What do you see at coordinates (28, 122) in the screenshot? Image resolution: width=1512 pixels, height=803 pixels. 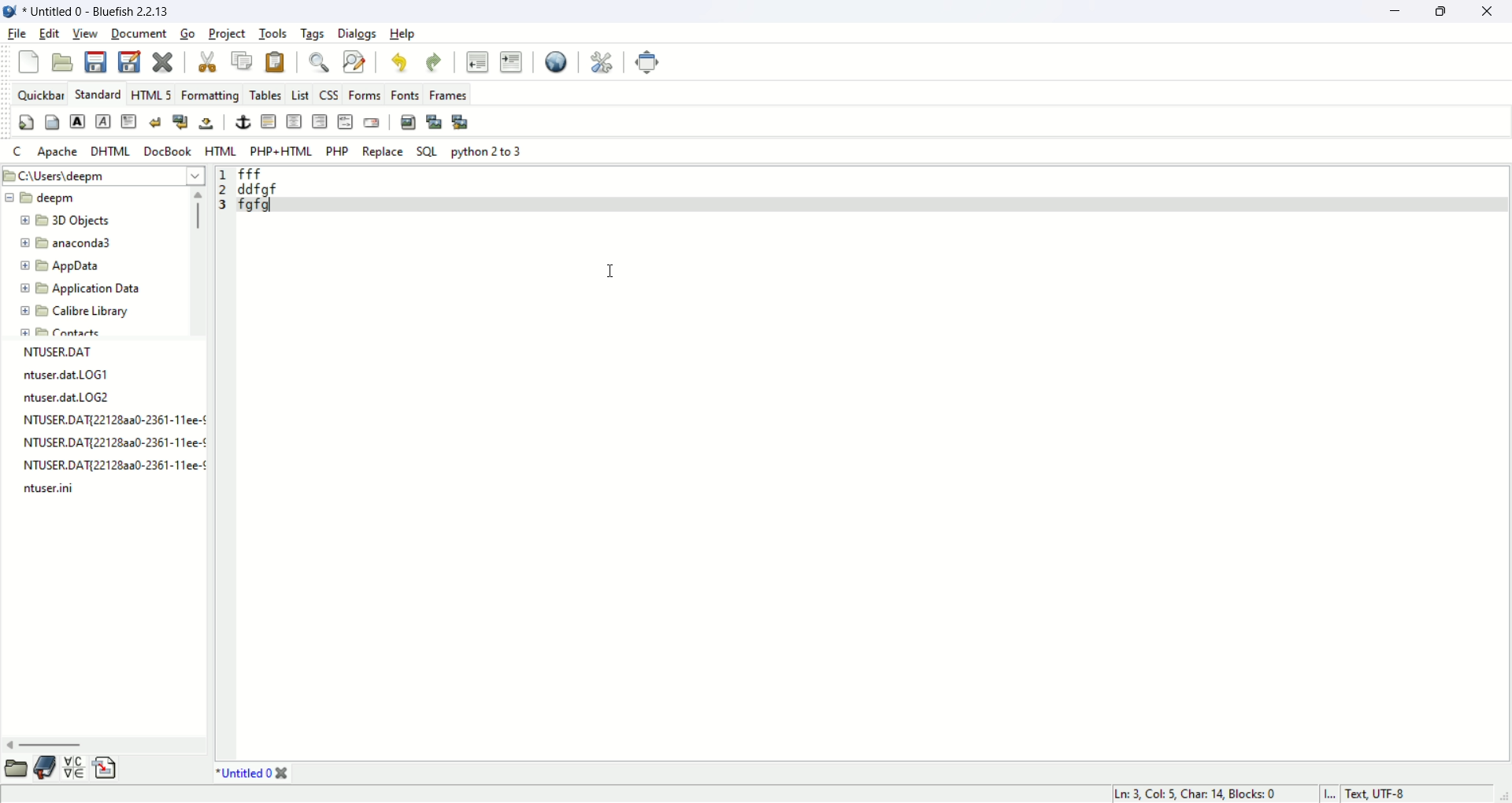 I see `quickstart` at bounding box center [28, 122].